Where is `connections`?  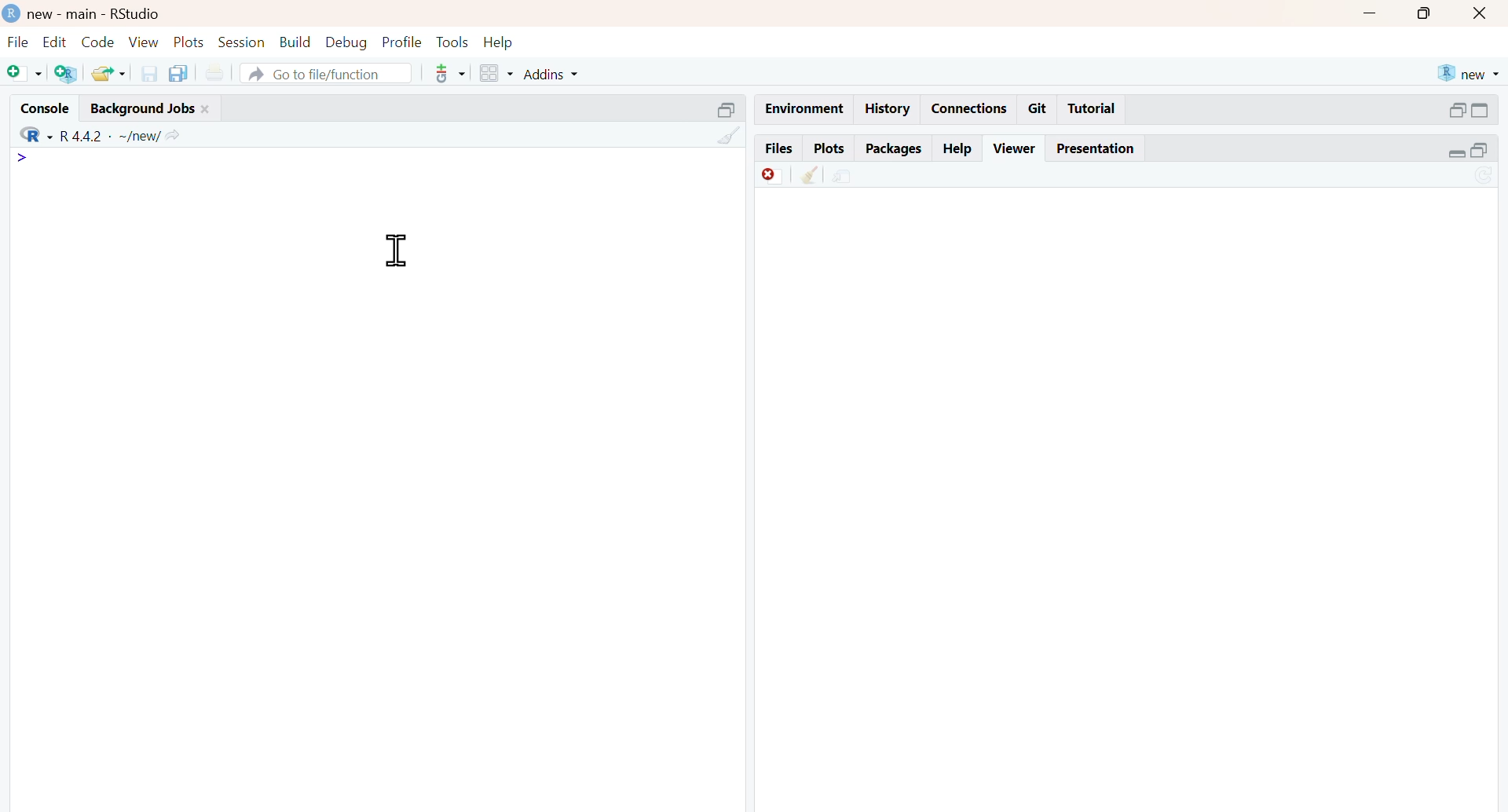 connections is located at coordinates (970, 109).